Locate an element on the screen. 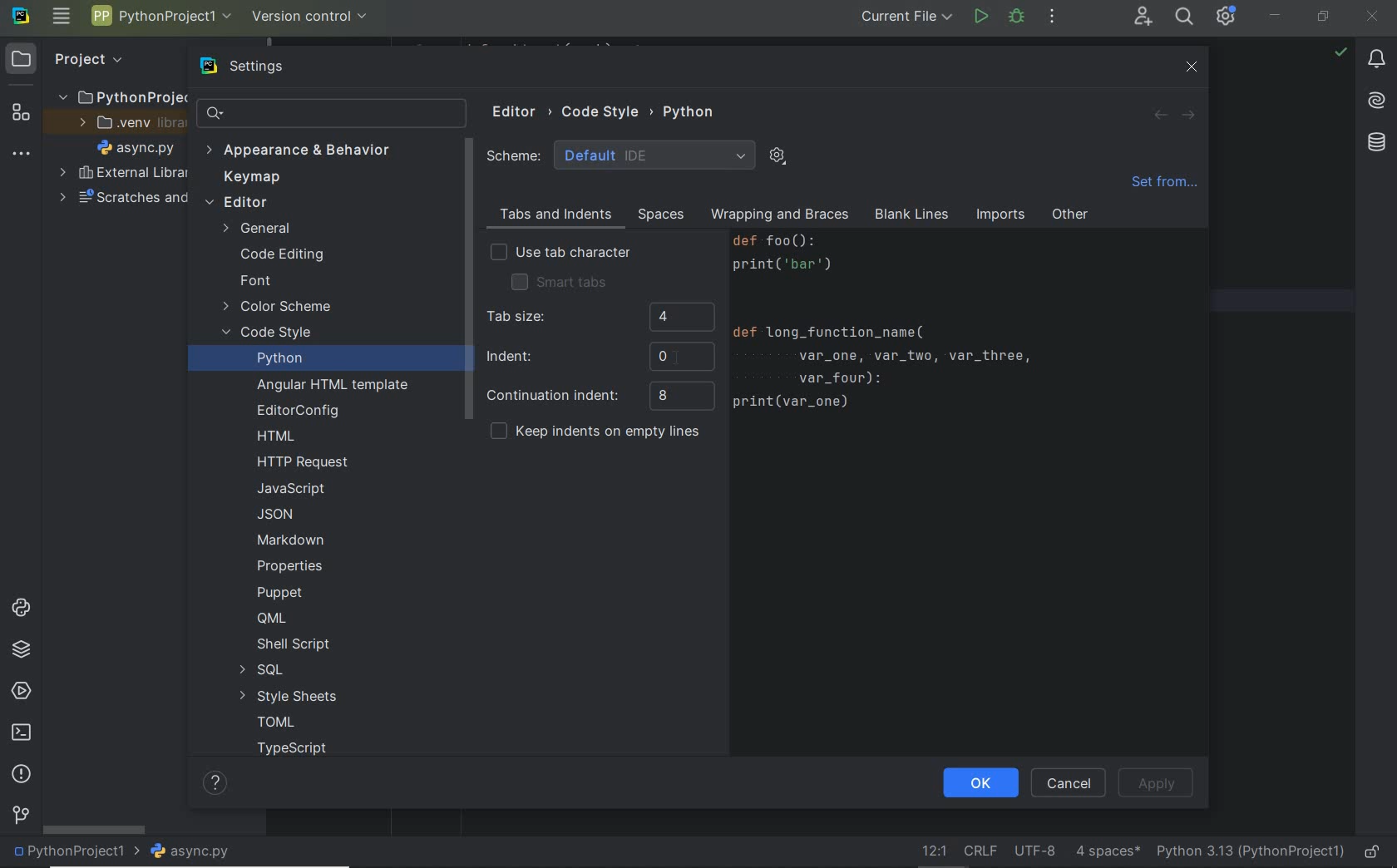  debug is located at coordinates (1017, 17).